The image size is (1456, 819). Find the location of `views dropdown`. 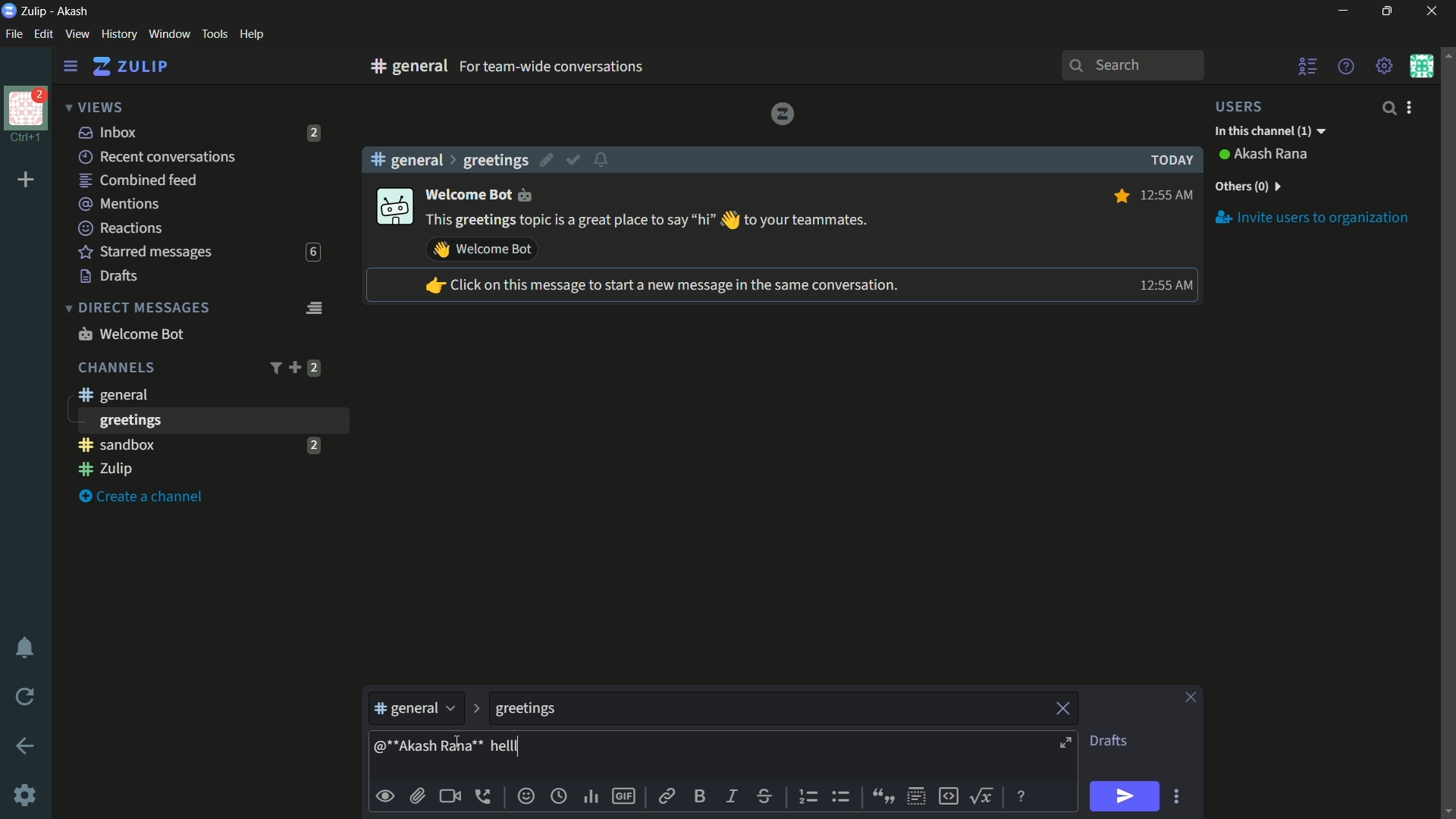

views dropdown is located at coordinates (94, 108).